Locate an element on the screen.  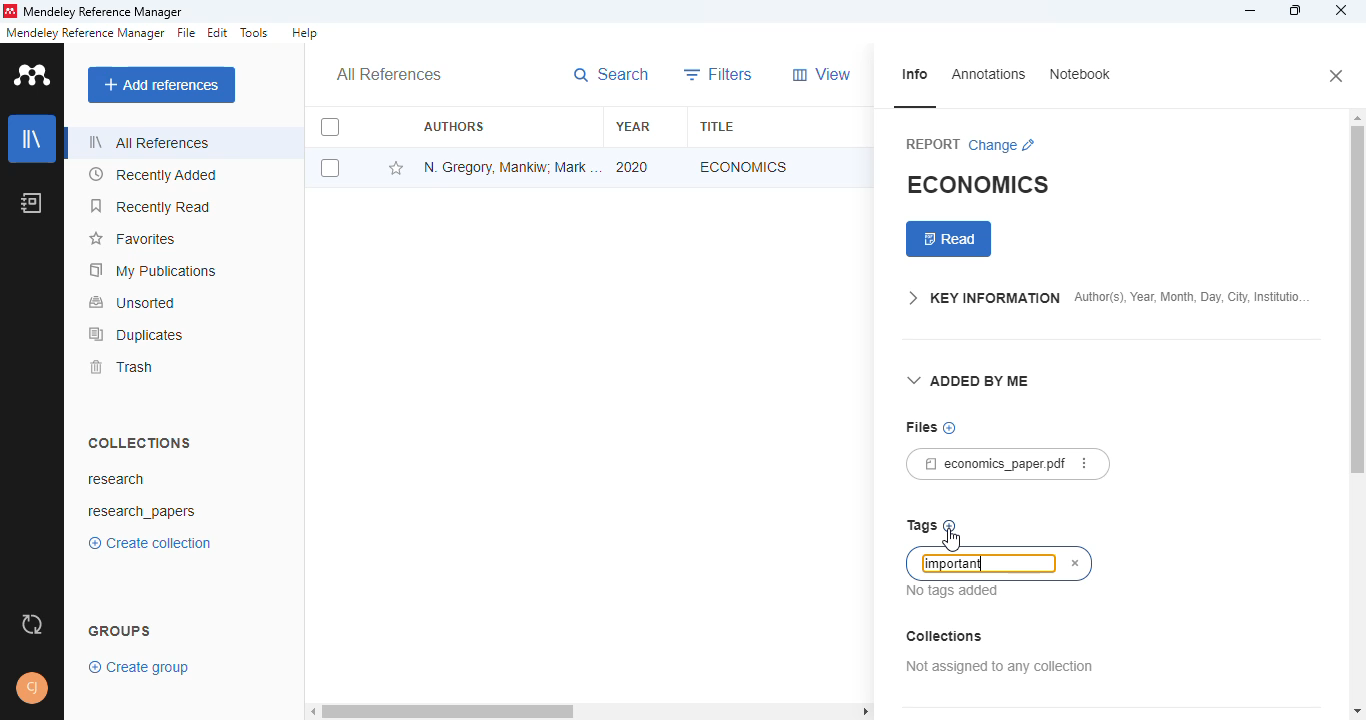
select is located at coordinates (330, 128).